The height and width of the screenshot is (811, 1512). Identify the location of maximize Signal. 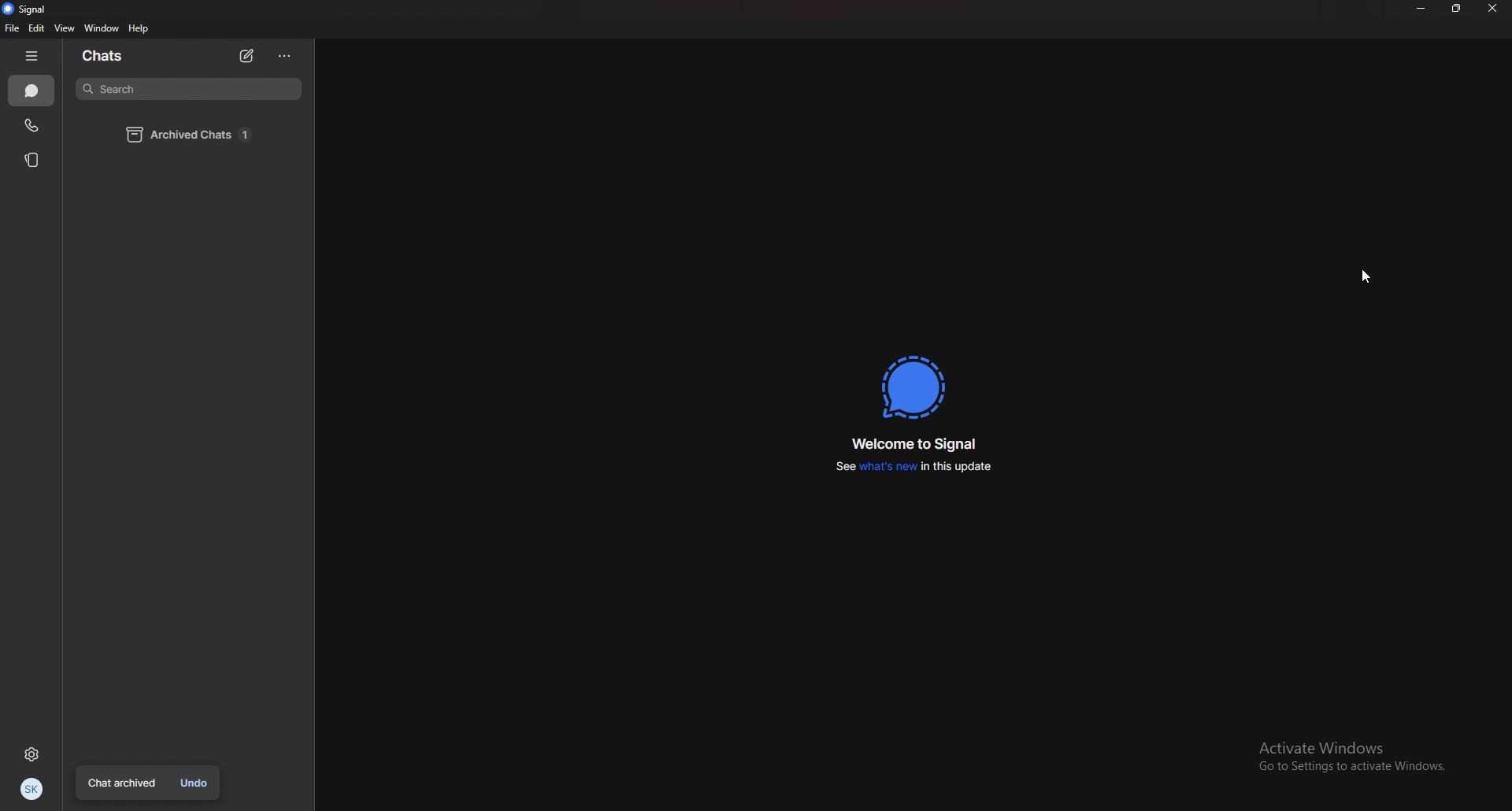
(1454, 13).